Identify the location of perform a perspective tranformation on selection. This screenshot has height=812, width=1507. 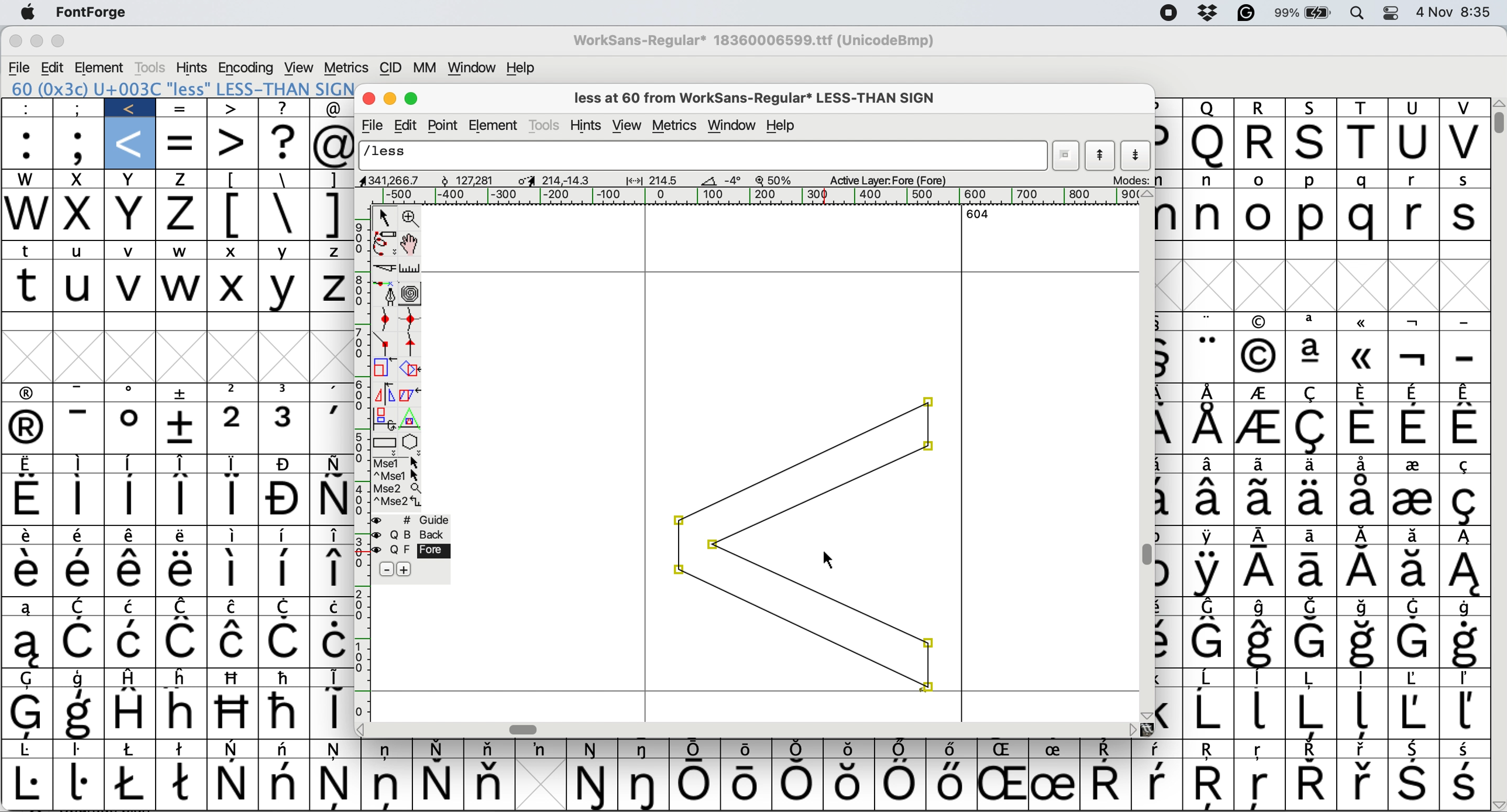
(415, 415).